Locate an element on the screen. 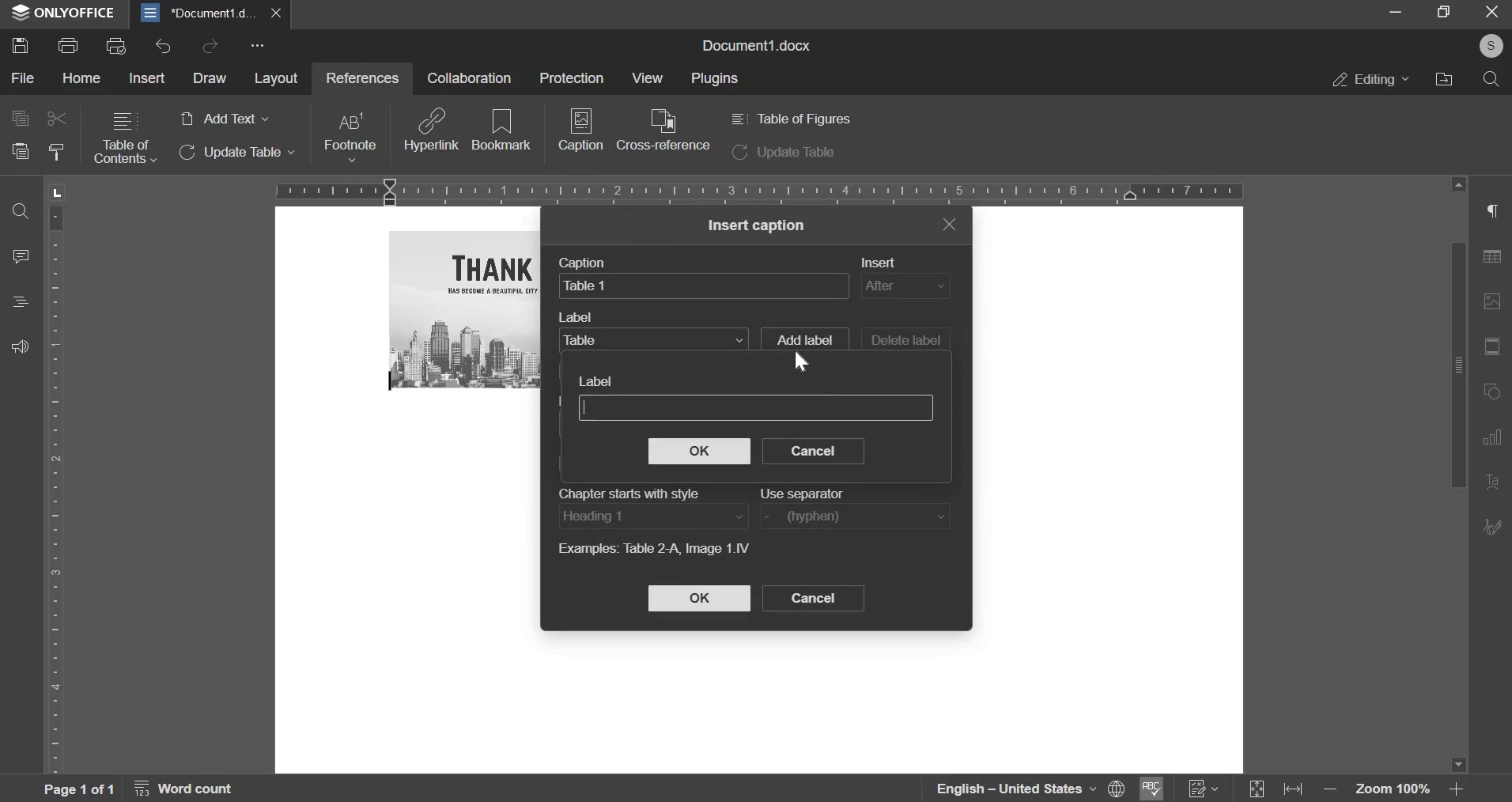  zoom 100% is located at coordinates (1394, 791).